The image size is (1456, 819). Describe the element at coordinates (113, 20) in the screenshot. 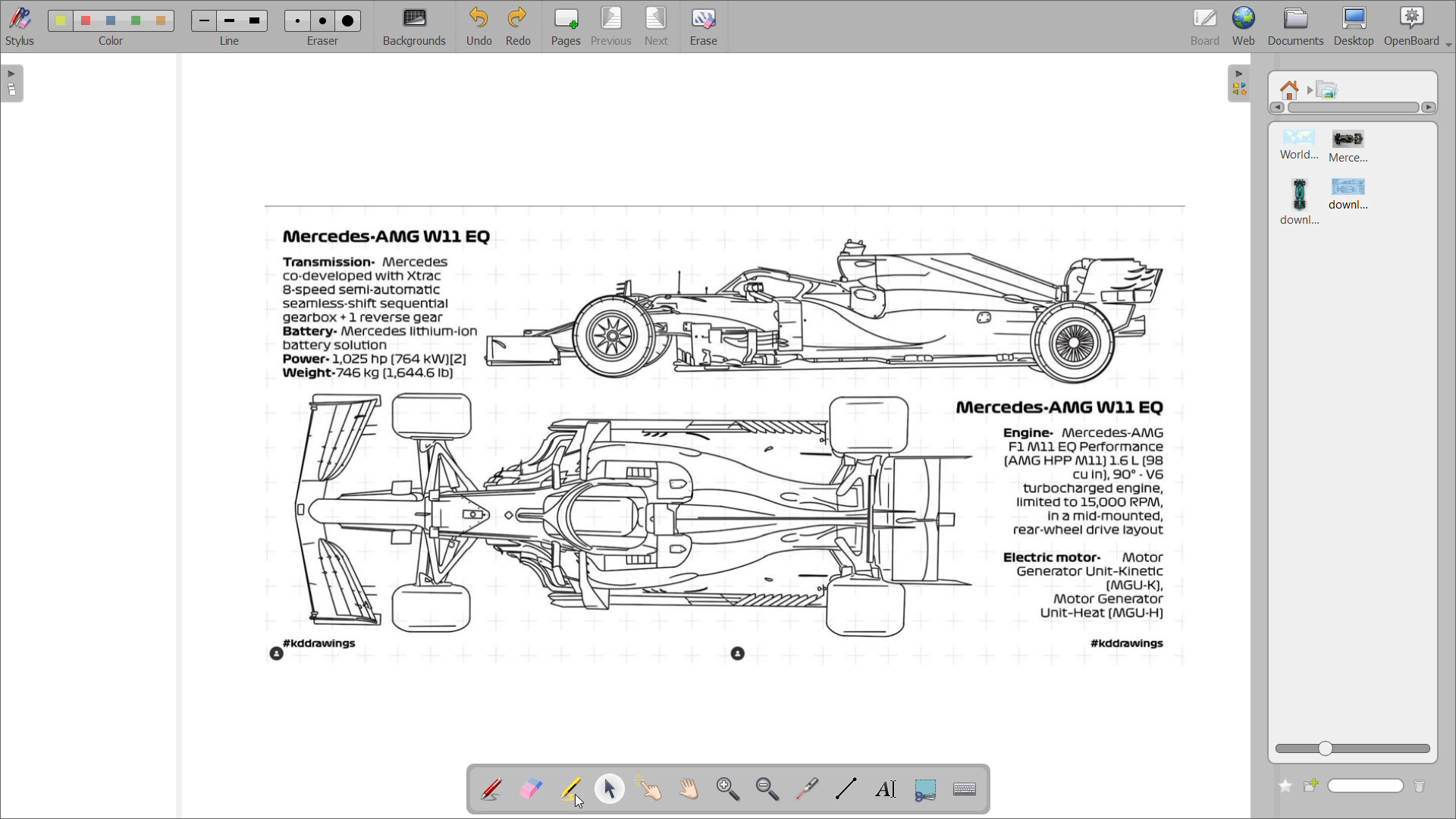

I see `color 3` at that location.